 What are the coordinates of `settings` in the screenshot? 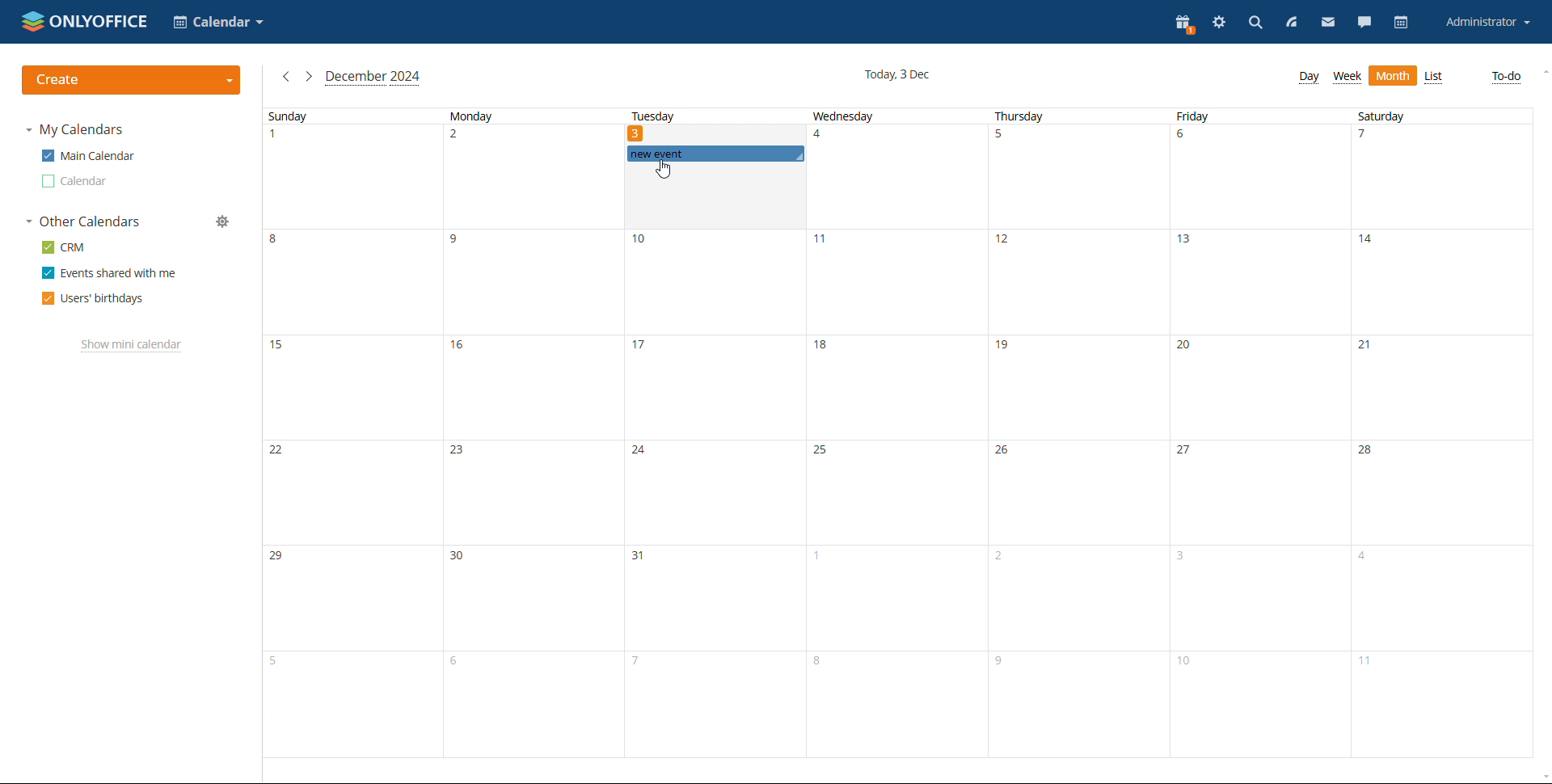 It's located at (1219, 23).